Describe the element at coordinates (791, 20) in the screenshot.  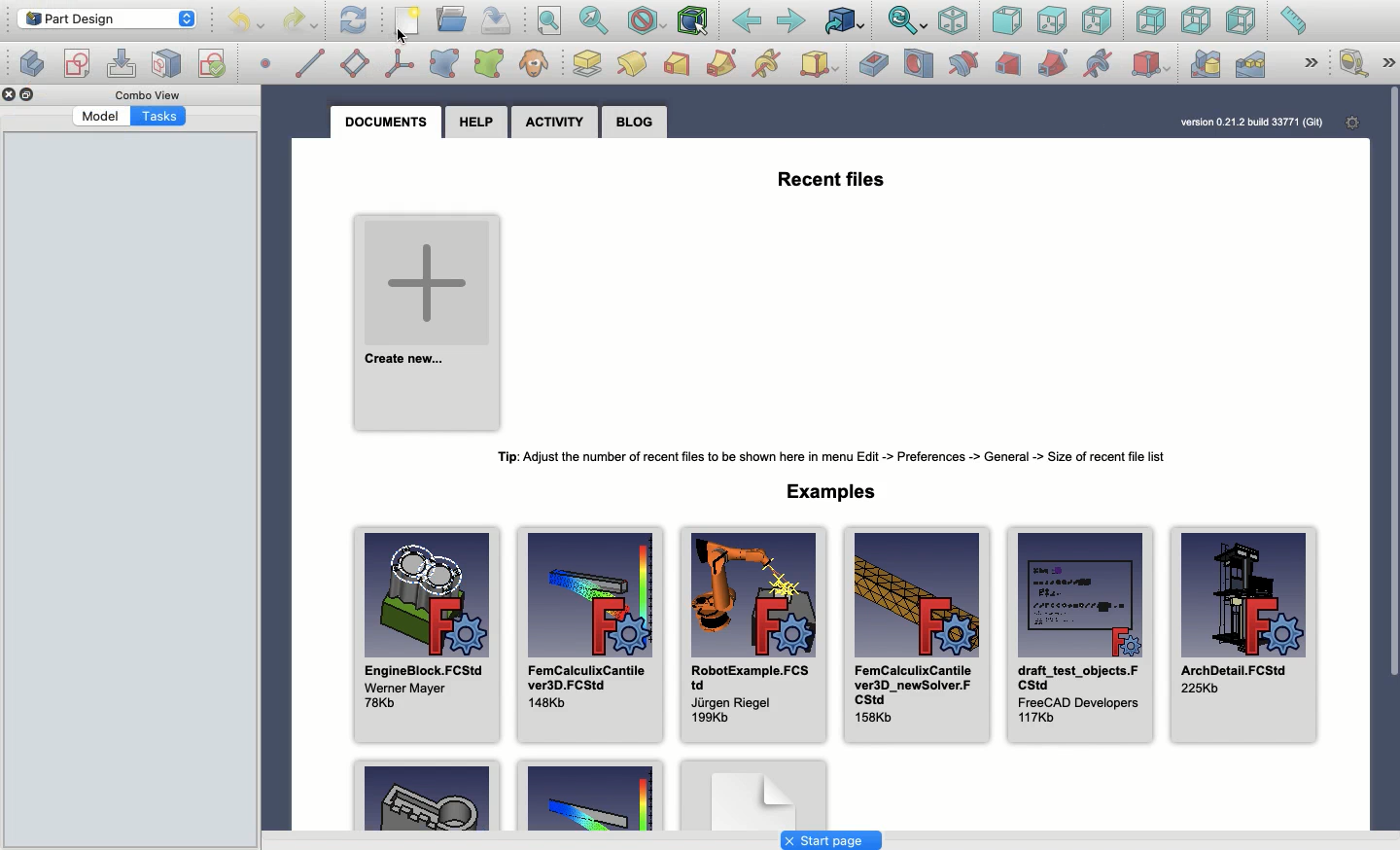
I see `Forward` at that location.